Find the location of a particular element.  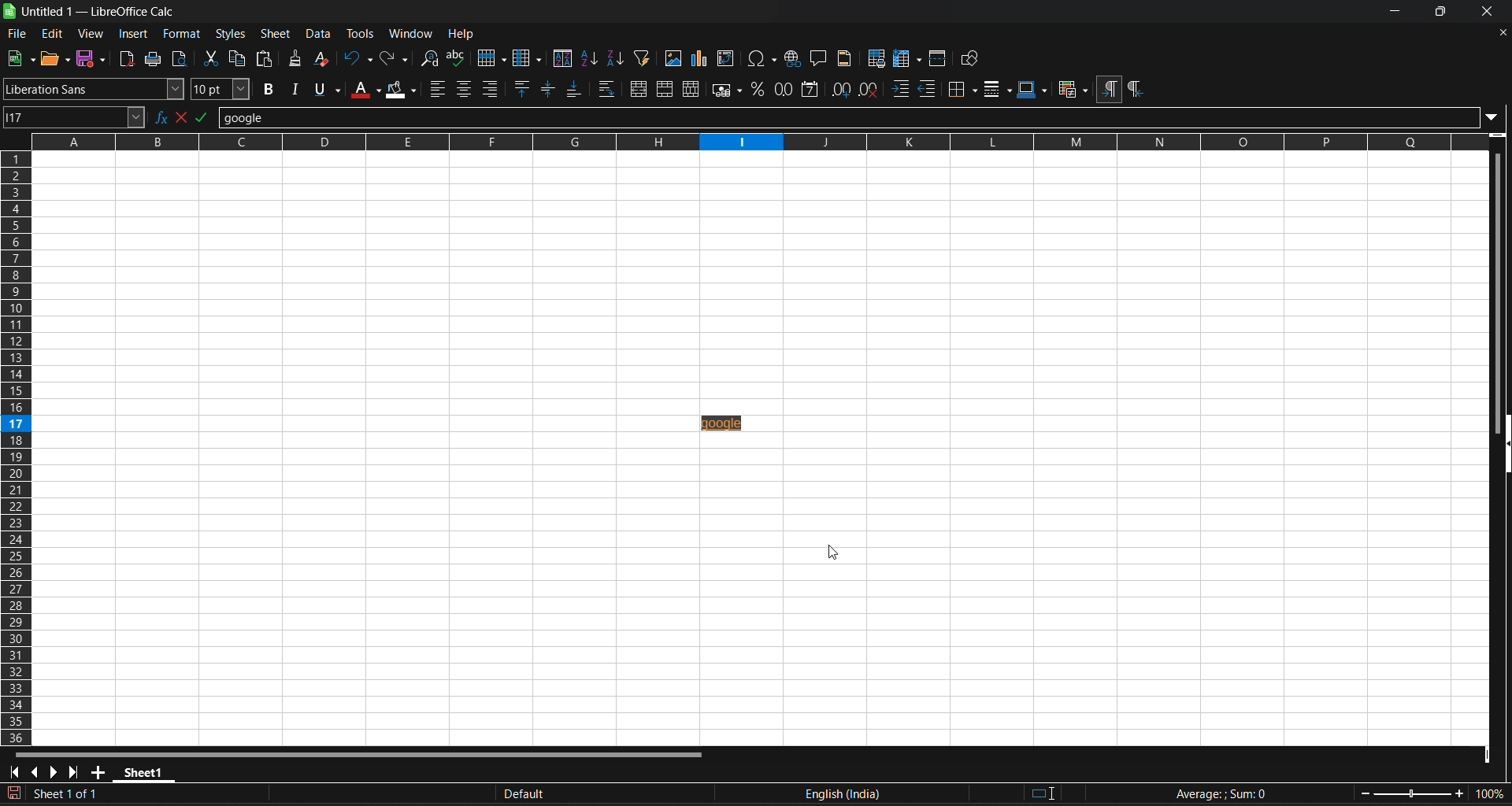

increase indent is located at coordinates (901, 91).